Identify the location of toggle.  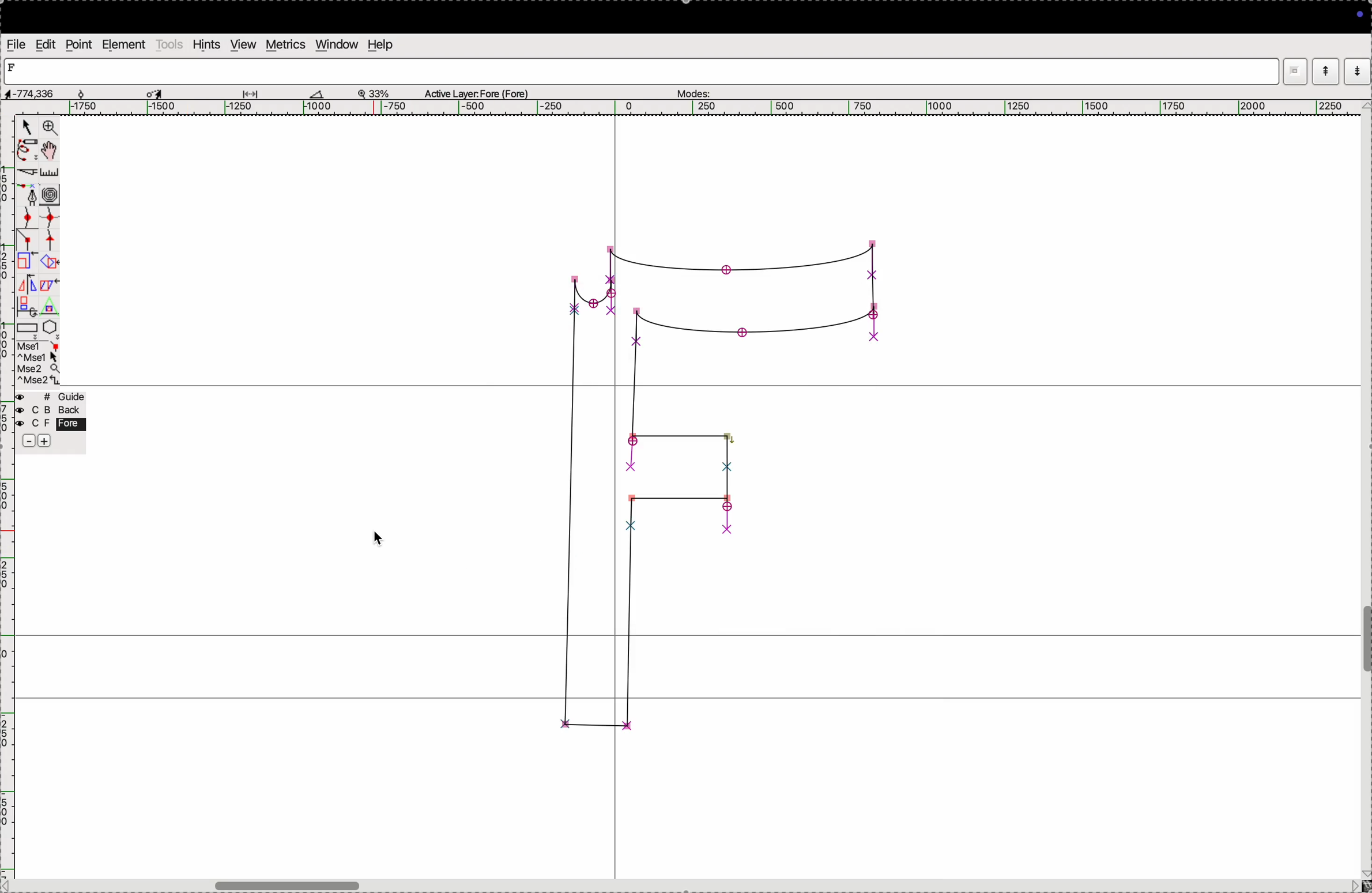
(51, 150).